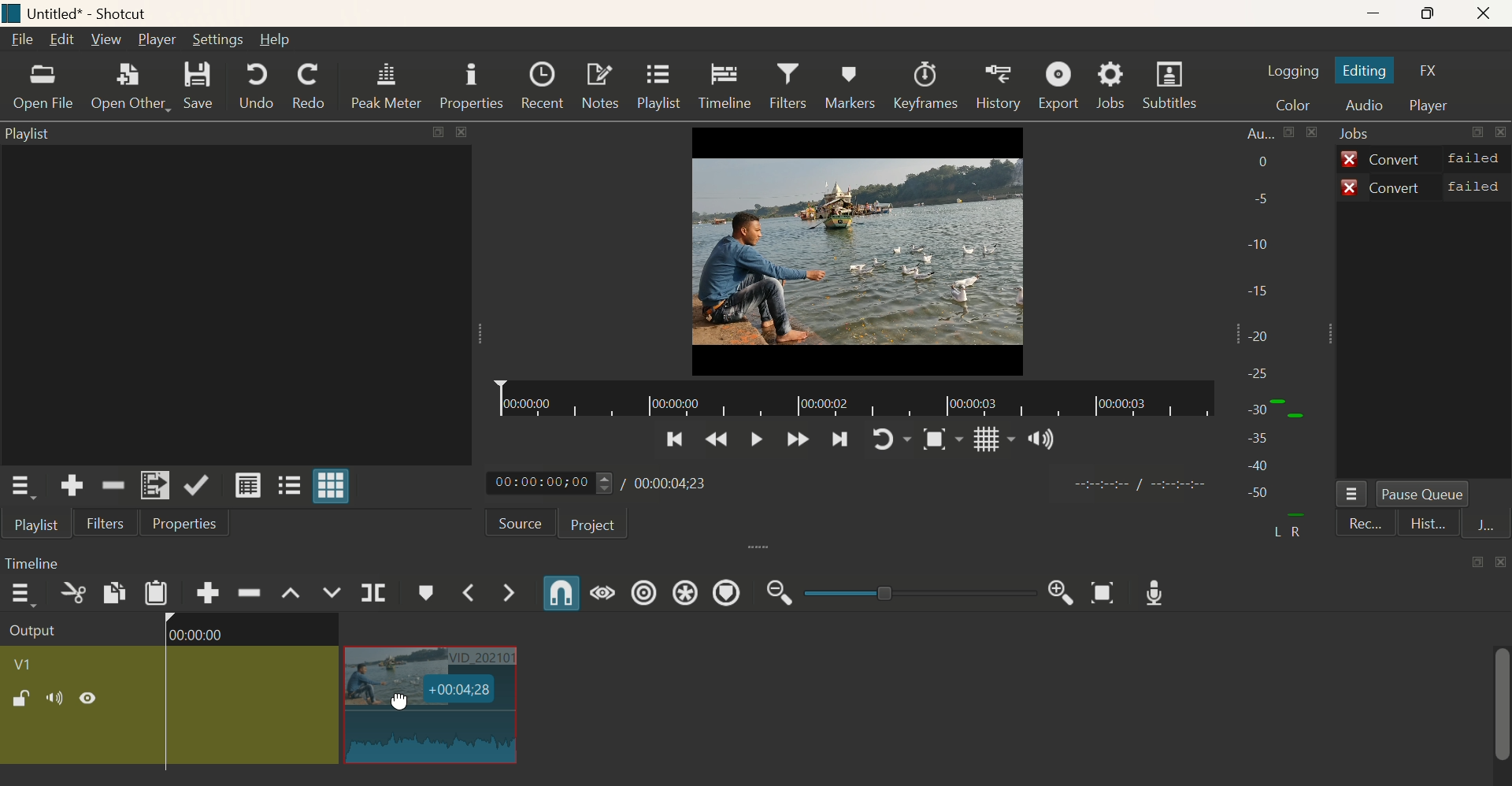 The height and width of the screenshot is (786, 1512). I want to click on , so click(510, 595).